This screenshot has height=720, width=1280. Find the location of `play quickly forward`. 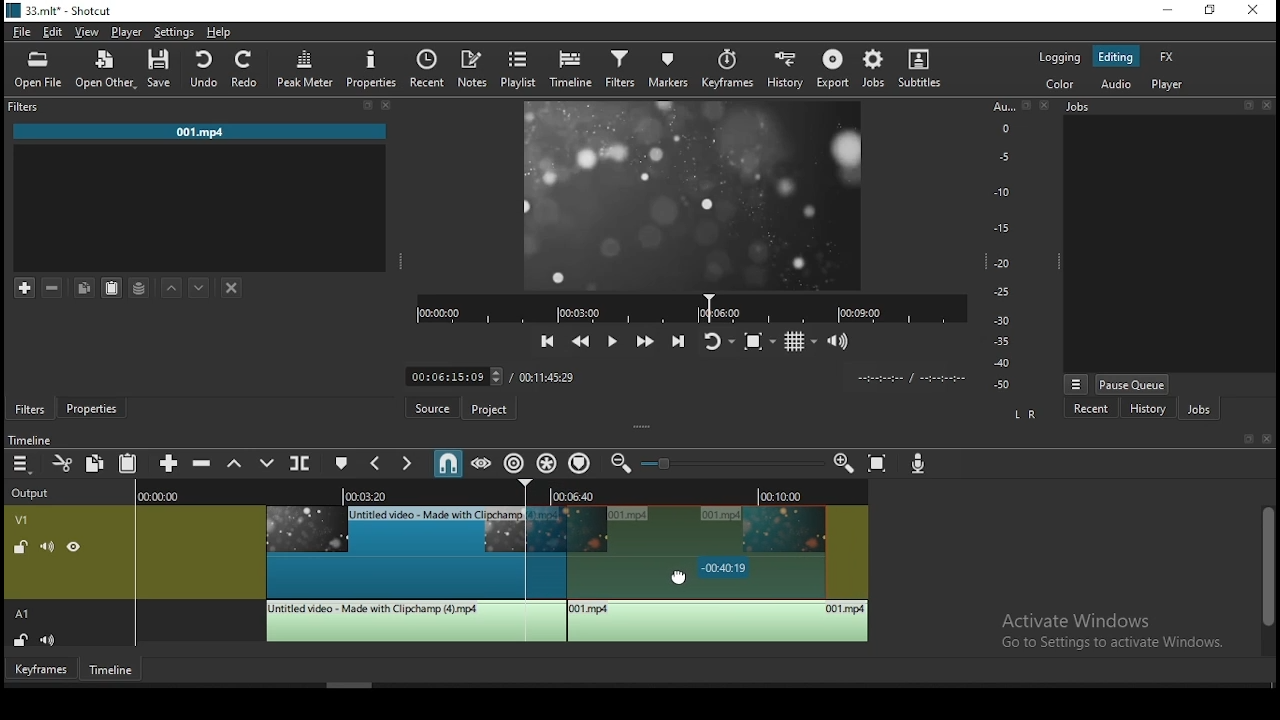

play quickly forward is located at coordinates (646, 341).